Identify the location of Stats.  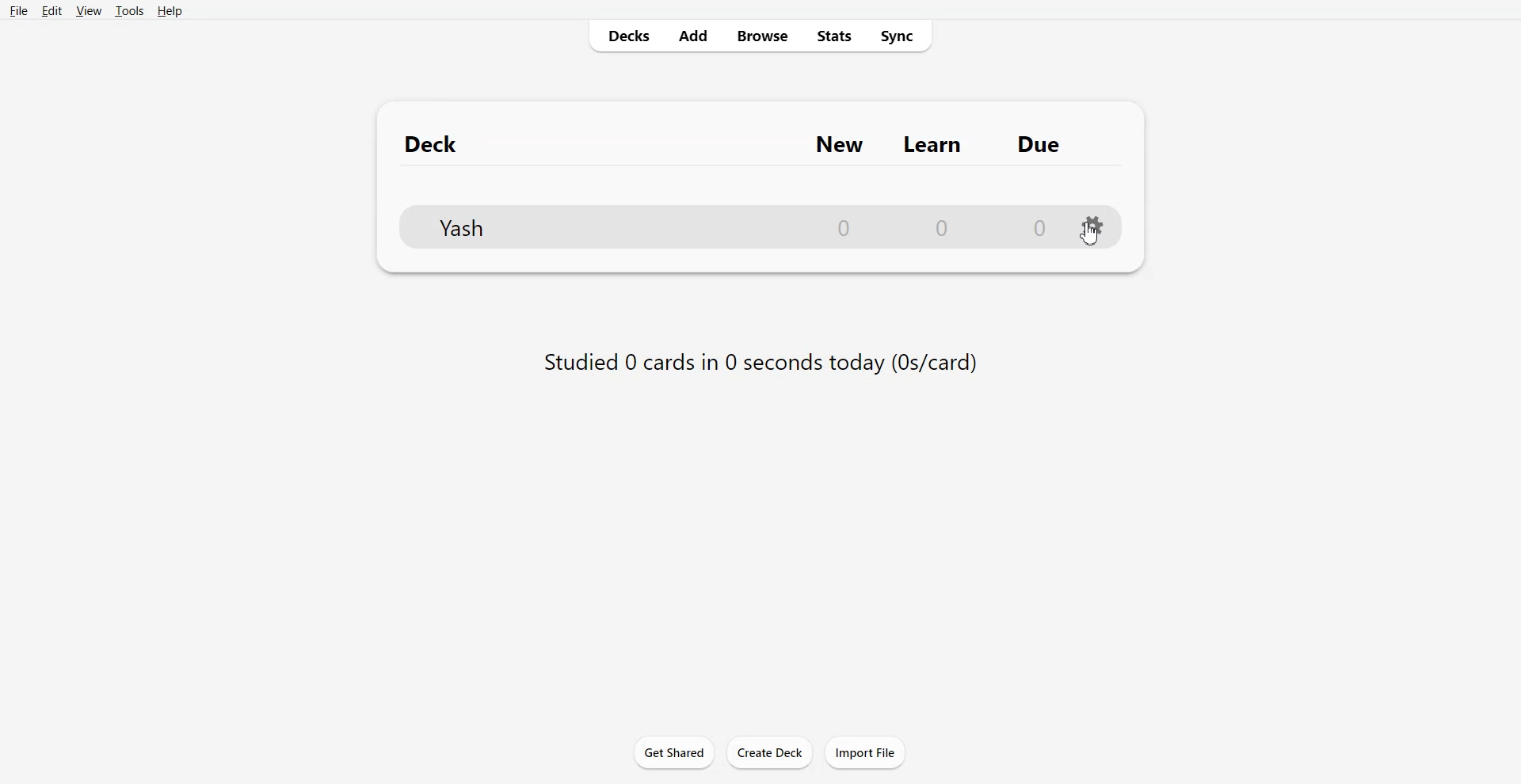
(832, 36).